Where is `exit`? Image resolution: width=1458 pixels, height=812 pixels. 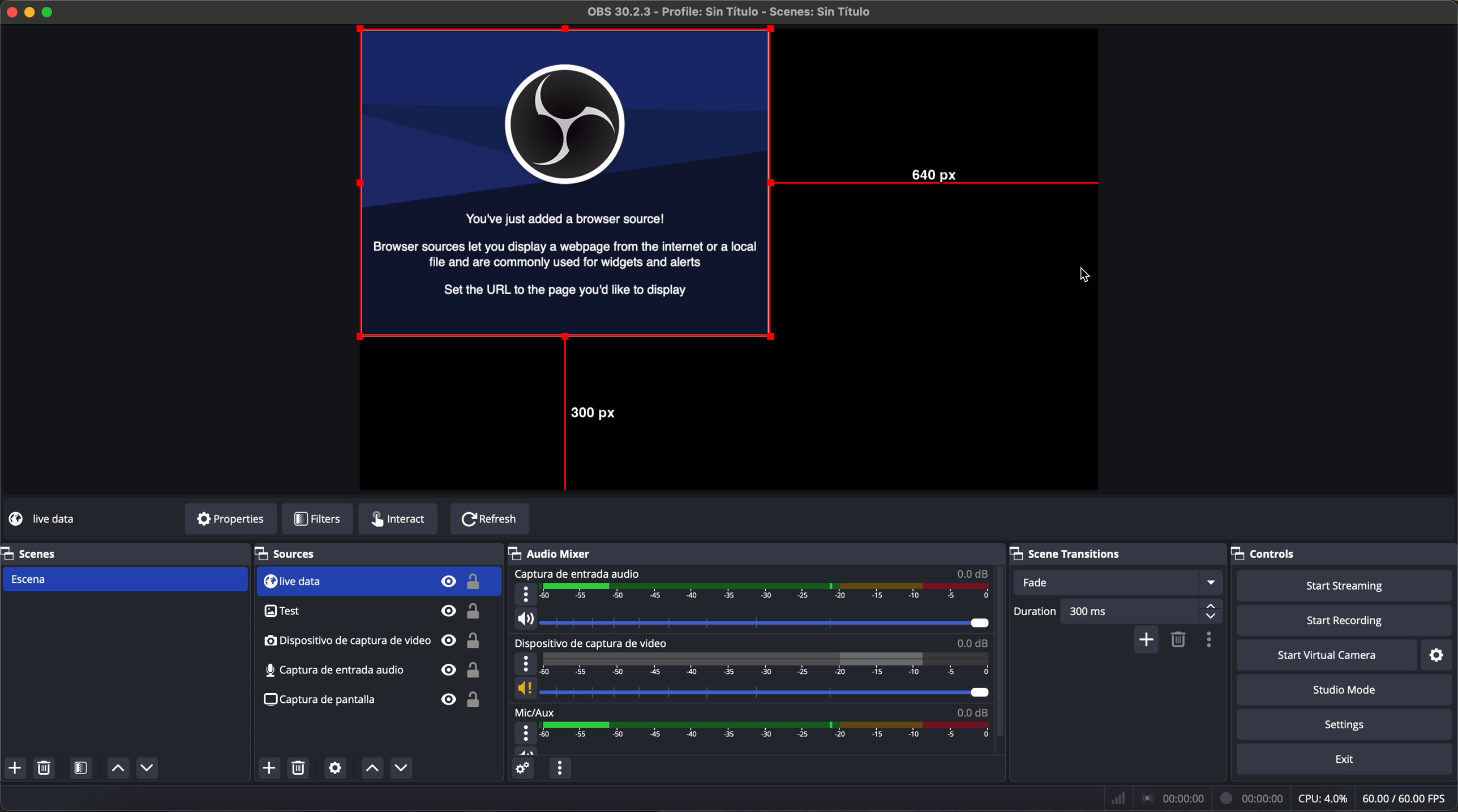 exit is located at coordinates (1348, 760).